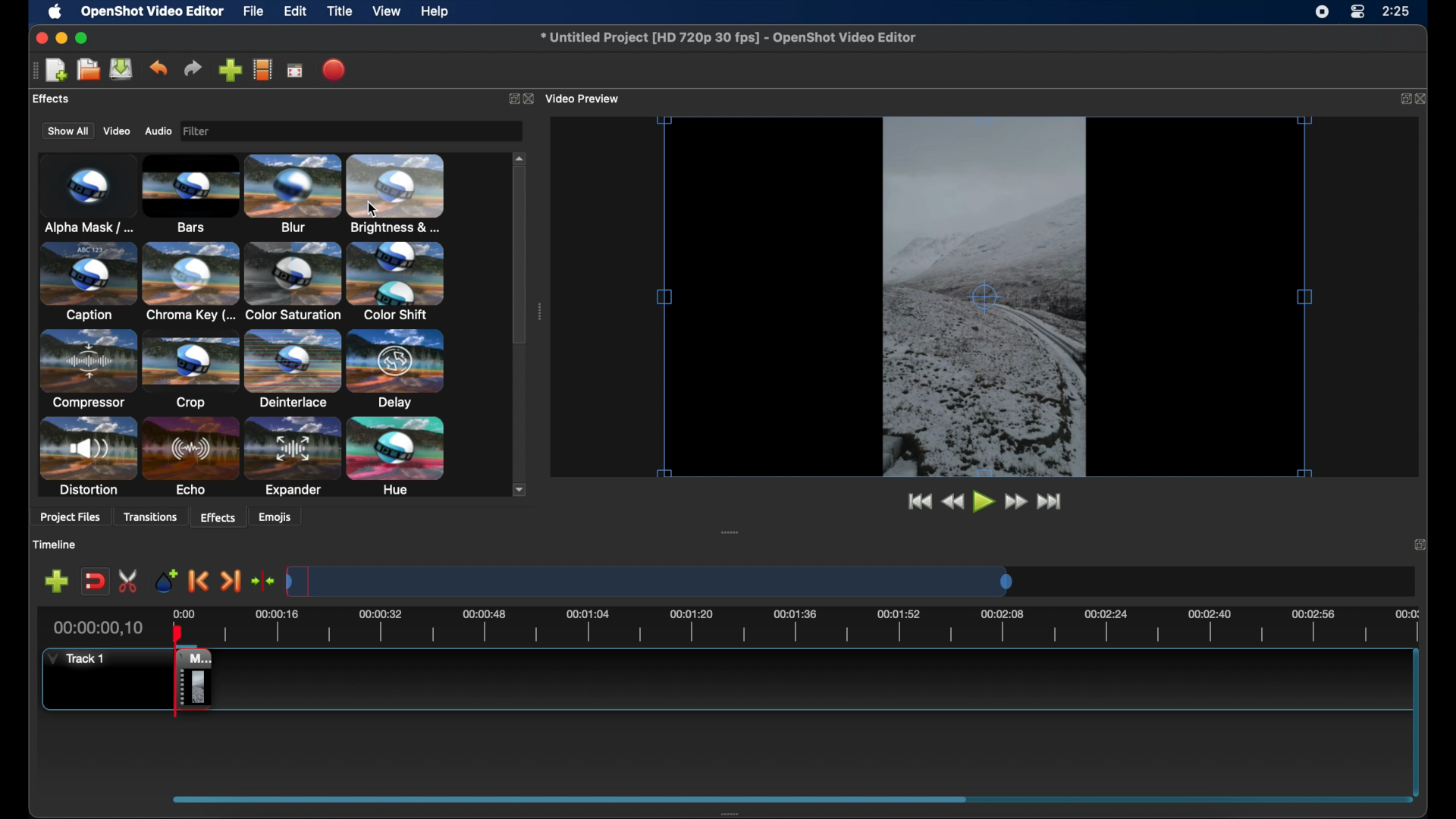 The image size is (1456, 819). I want to click on expand, so click(1403, 99).